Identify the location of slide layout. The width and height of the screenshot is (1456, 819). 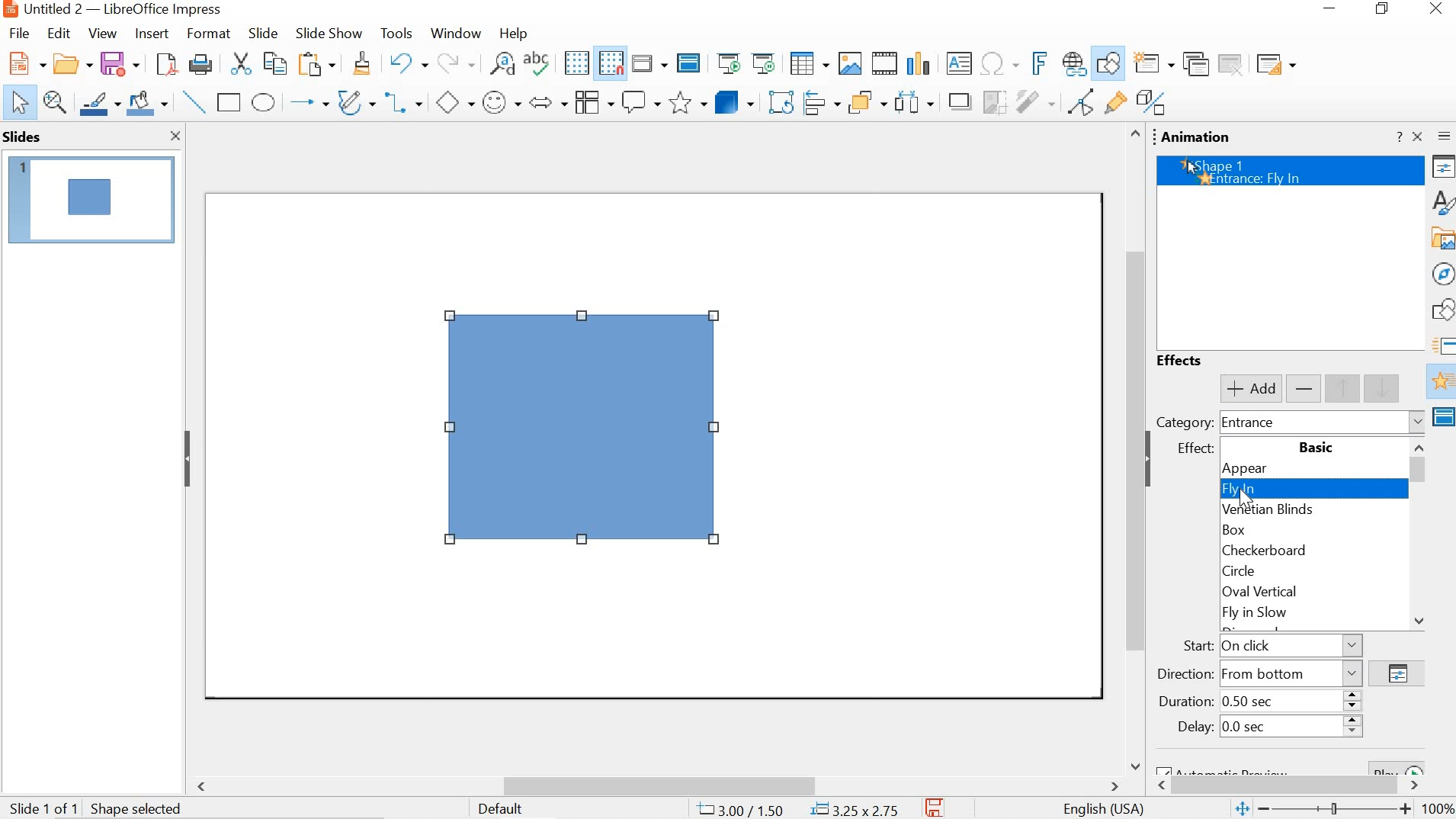
(1275, 66).